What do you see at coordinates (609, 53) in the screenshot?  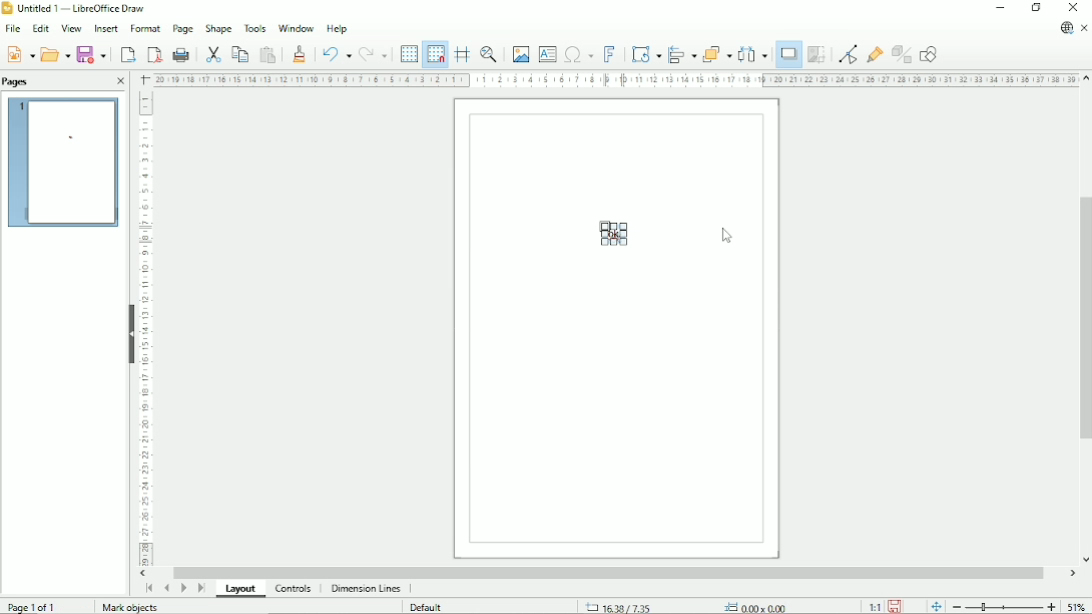 I see `Insert fontwork text` at bounding box center [609, 53].